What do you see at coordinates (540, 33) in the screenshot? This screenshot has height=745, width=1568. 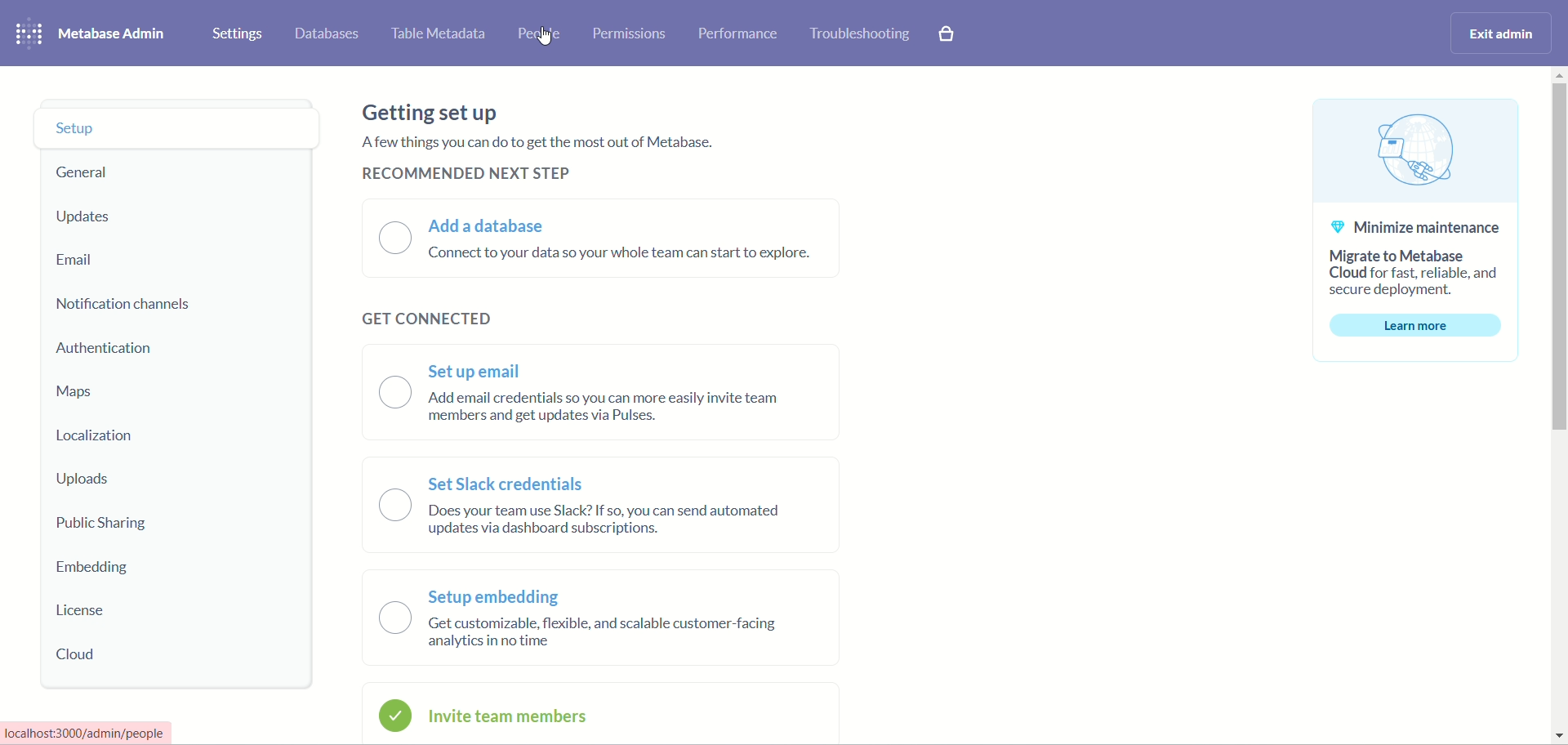 I see `people` at bounding box center [540, 33].